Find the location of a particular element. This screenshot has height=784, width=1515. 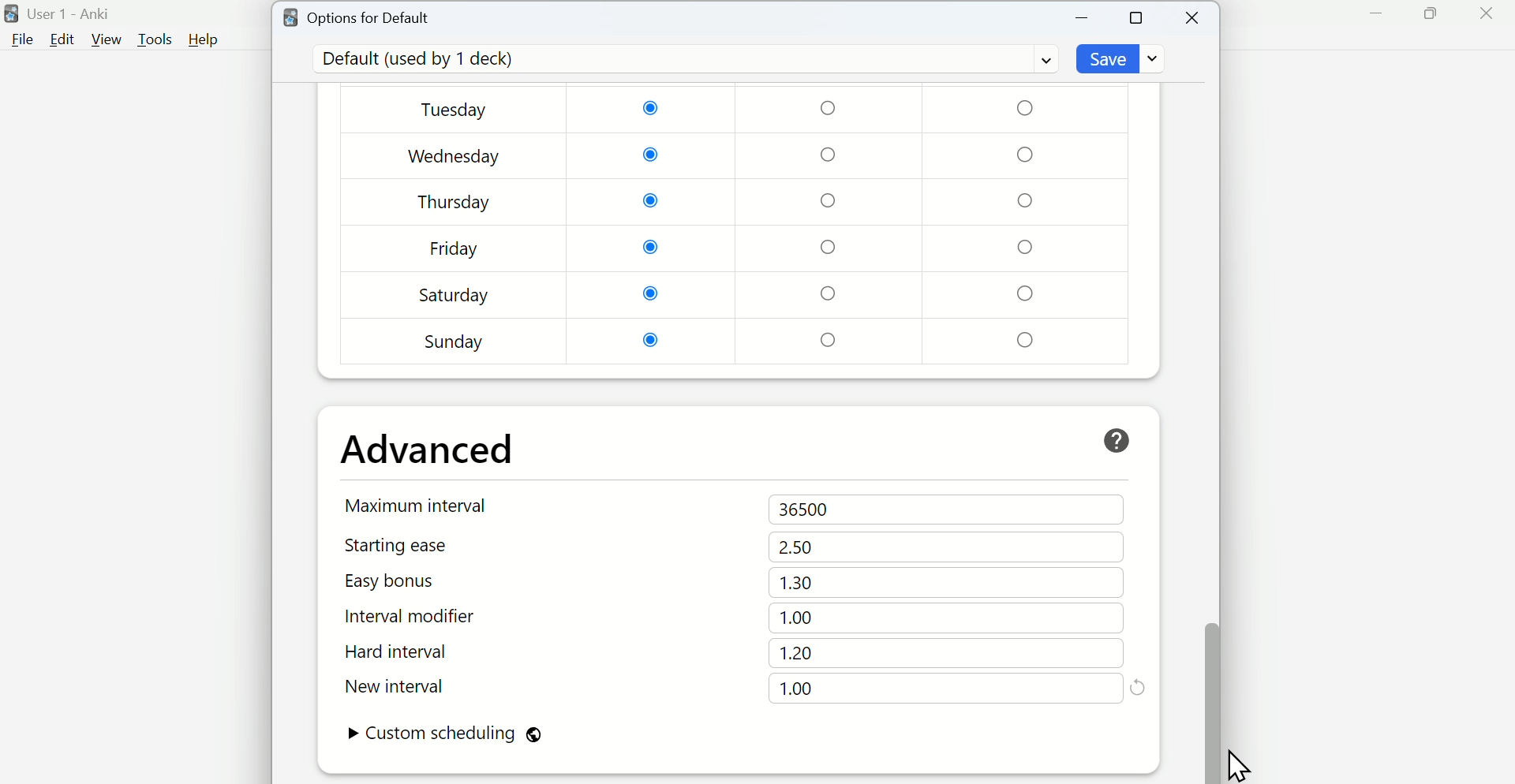

1.00 is located at coordinates (799, 618).